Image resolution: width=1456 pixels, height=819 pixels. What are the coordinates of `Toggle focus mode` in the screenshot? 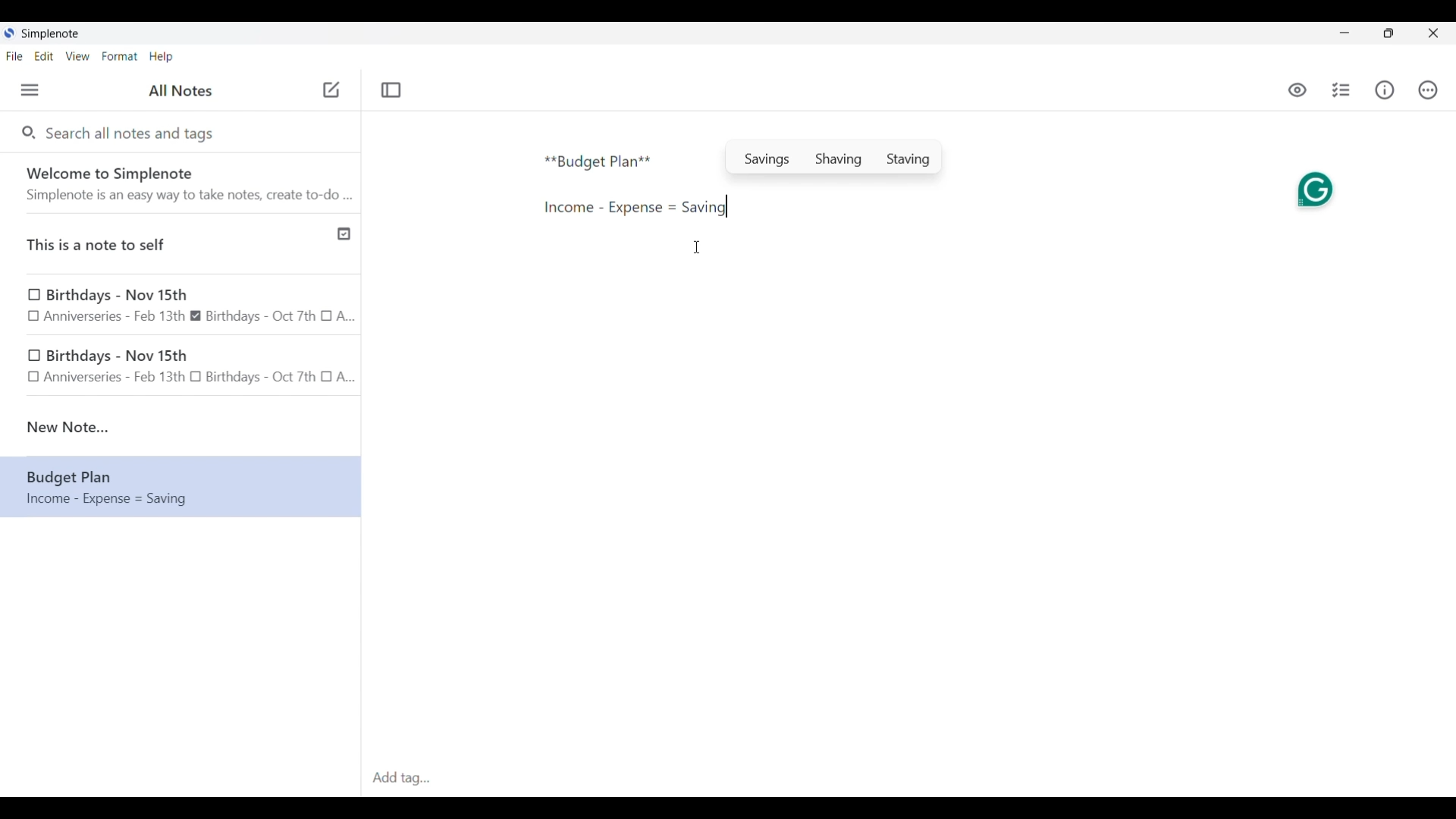 It's located at (391, 90).